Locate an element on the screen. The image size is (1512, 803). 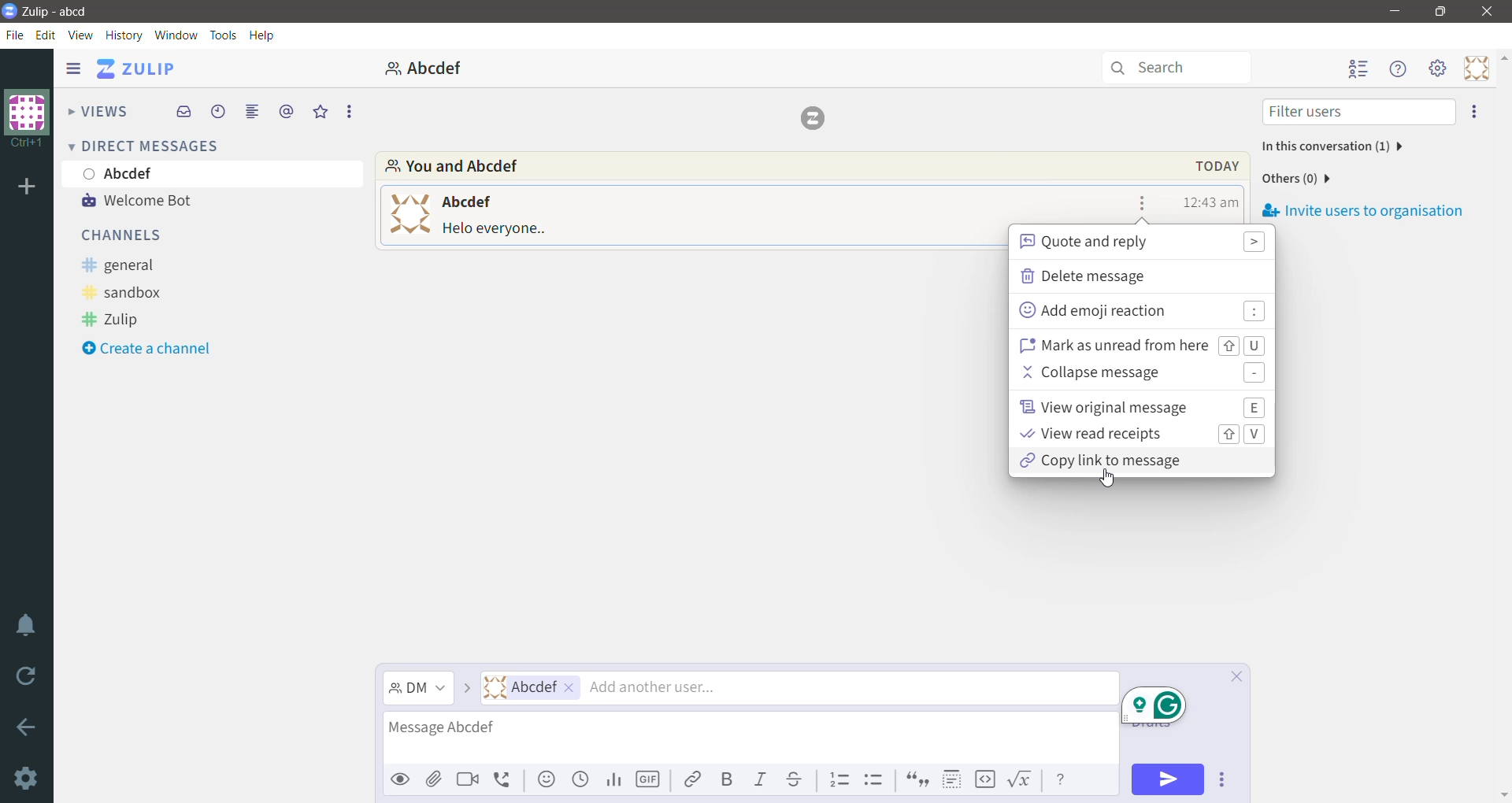
Numbered list is located at coordinates (839, 779).